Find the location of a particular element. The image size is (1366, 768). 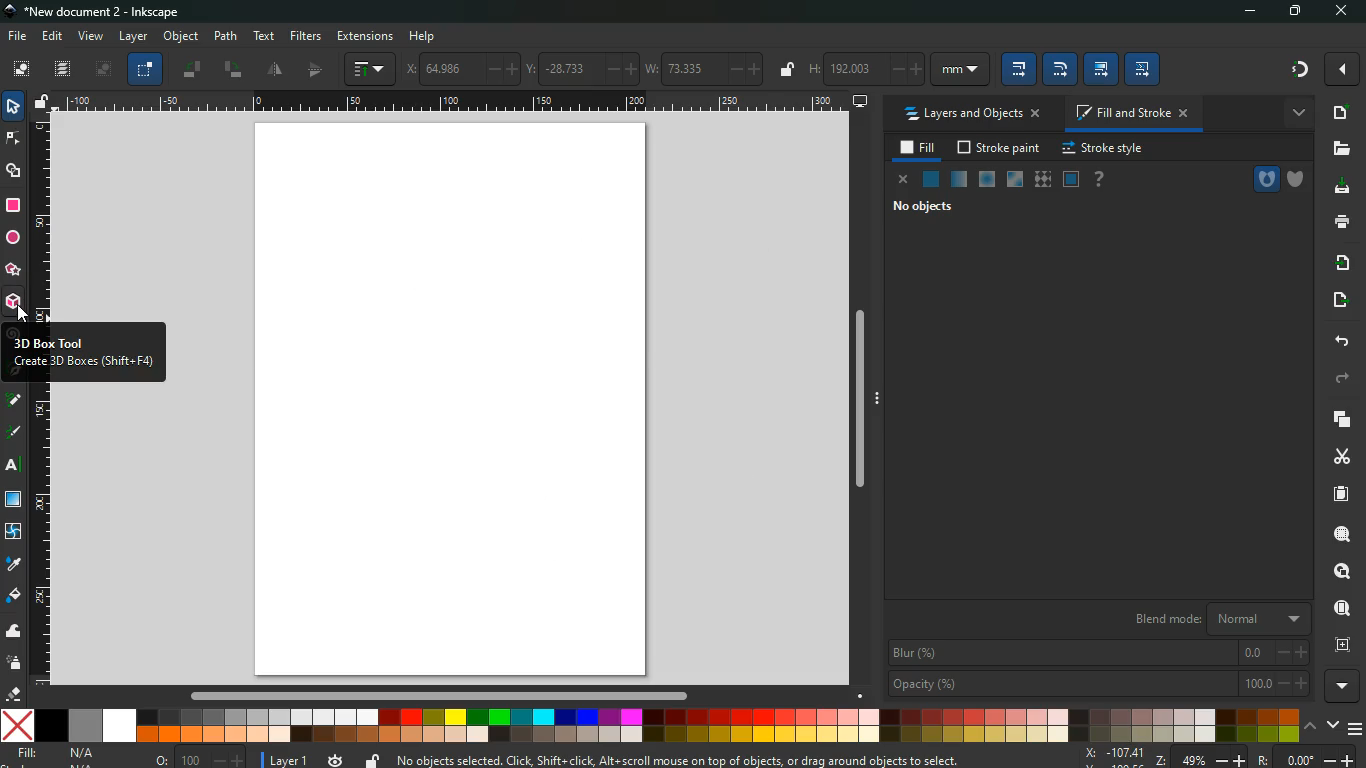

print is located at coordinates (1341, 221).